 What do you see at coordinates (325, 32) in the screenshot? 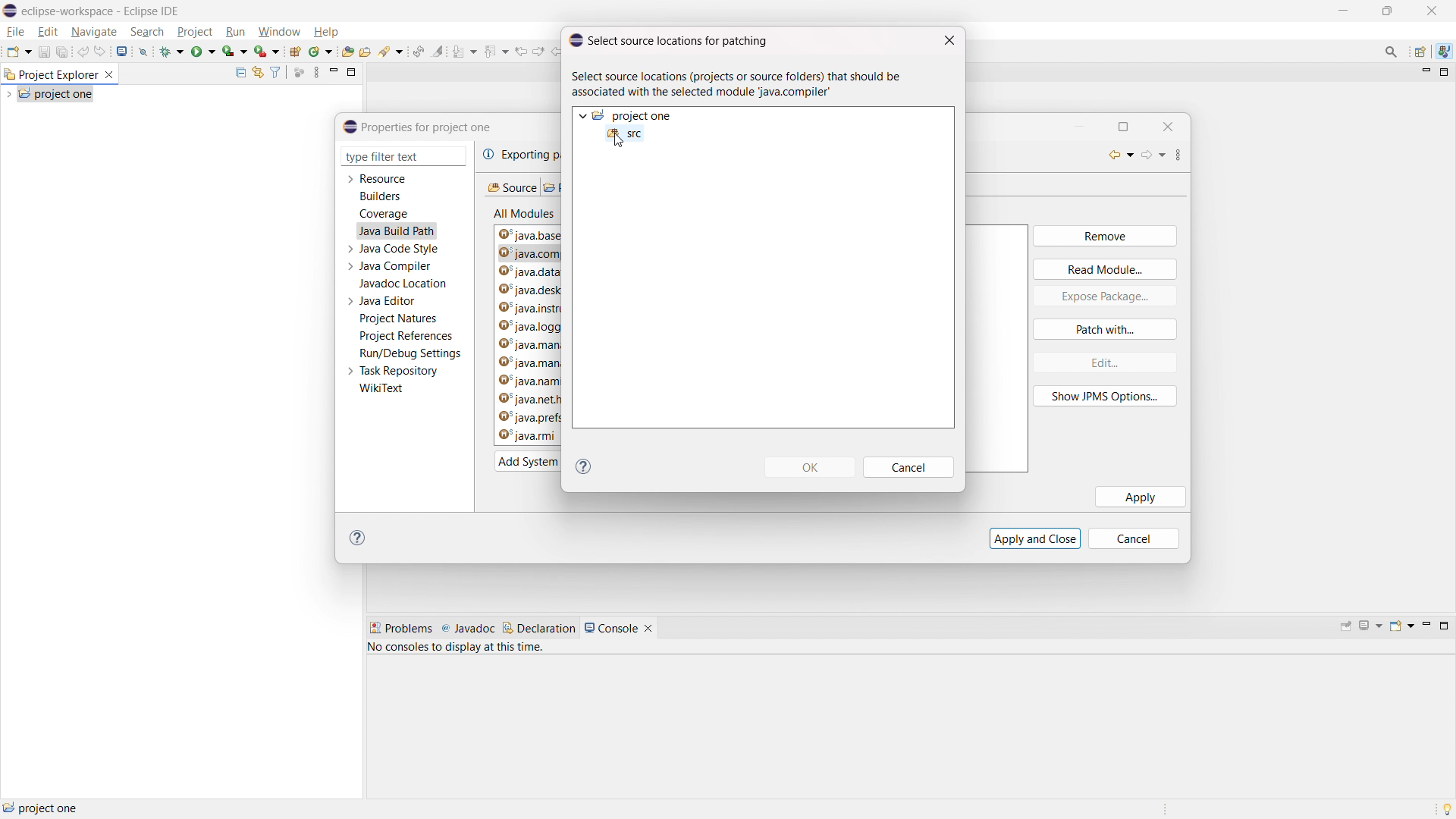
I see `help` at bounding box center [325, 32].